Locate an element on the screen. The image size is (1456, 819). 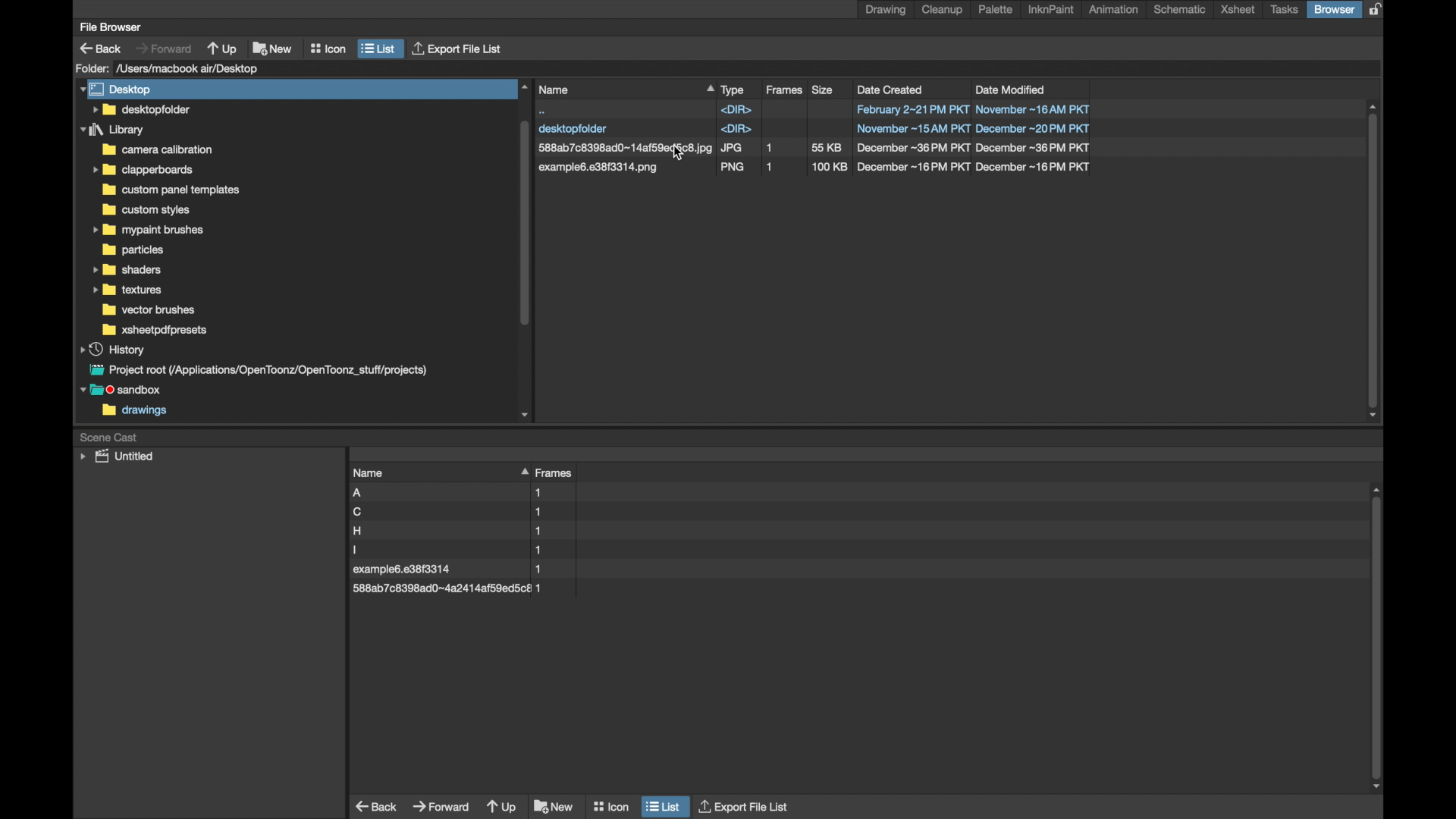
forward is located at coordinates (164, 48).